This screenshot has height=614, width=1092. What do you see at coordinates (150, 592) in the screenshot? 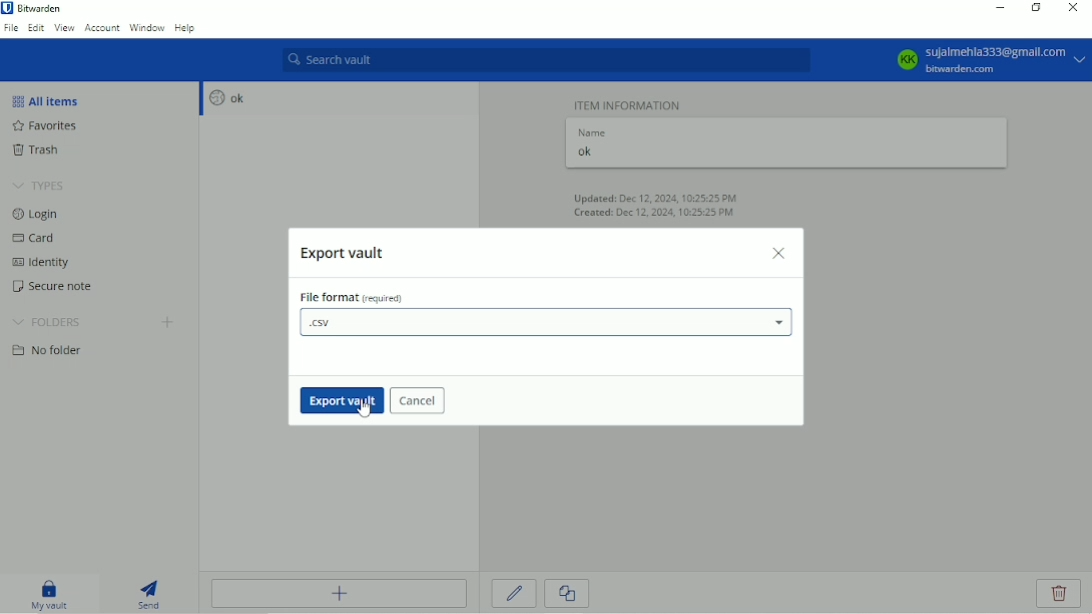
I see `Send` at bounding box center [150, 592].